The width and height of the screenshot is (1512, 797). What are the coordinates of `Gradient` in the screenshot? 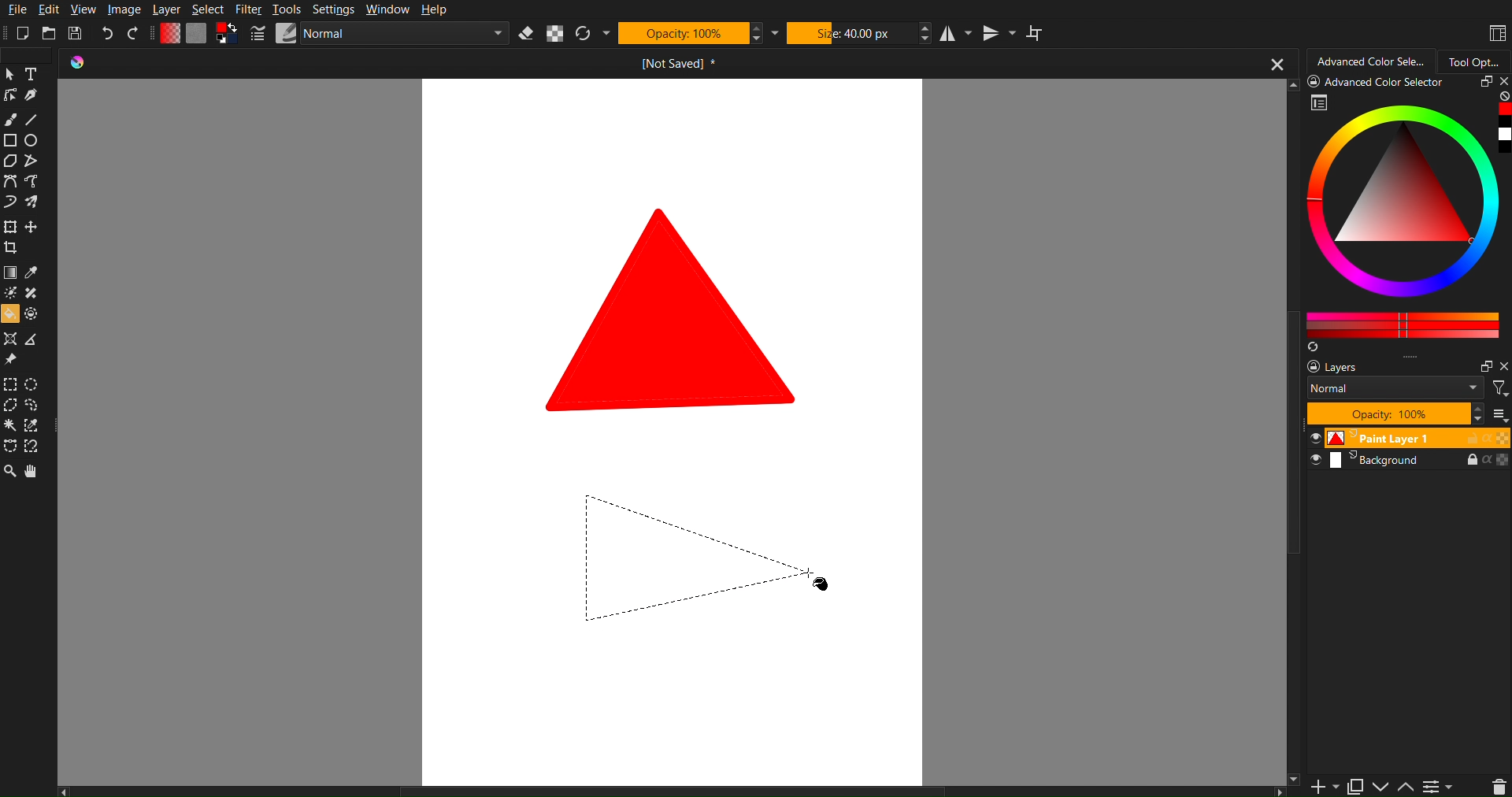 It's located at (9, 274).